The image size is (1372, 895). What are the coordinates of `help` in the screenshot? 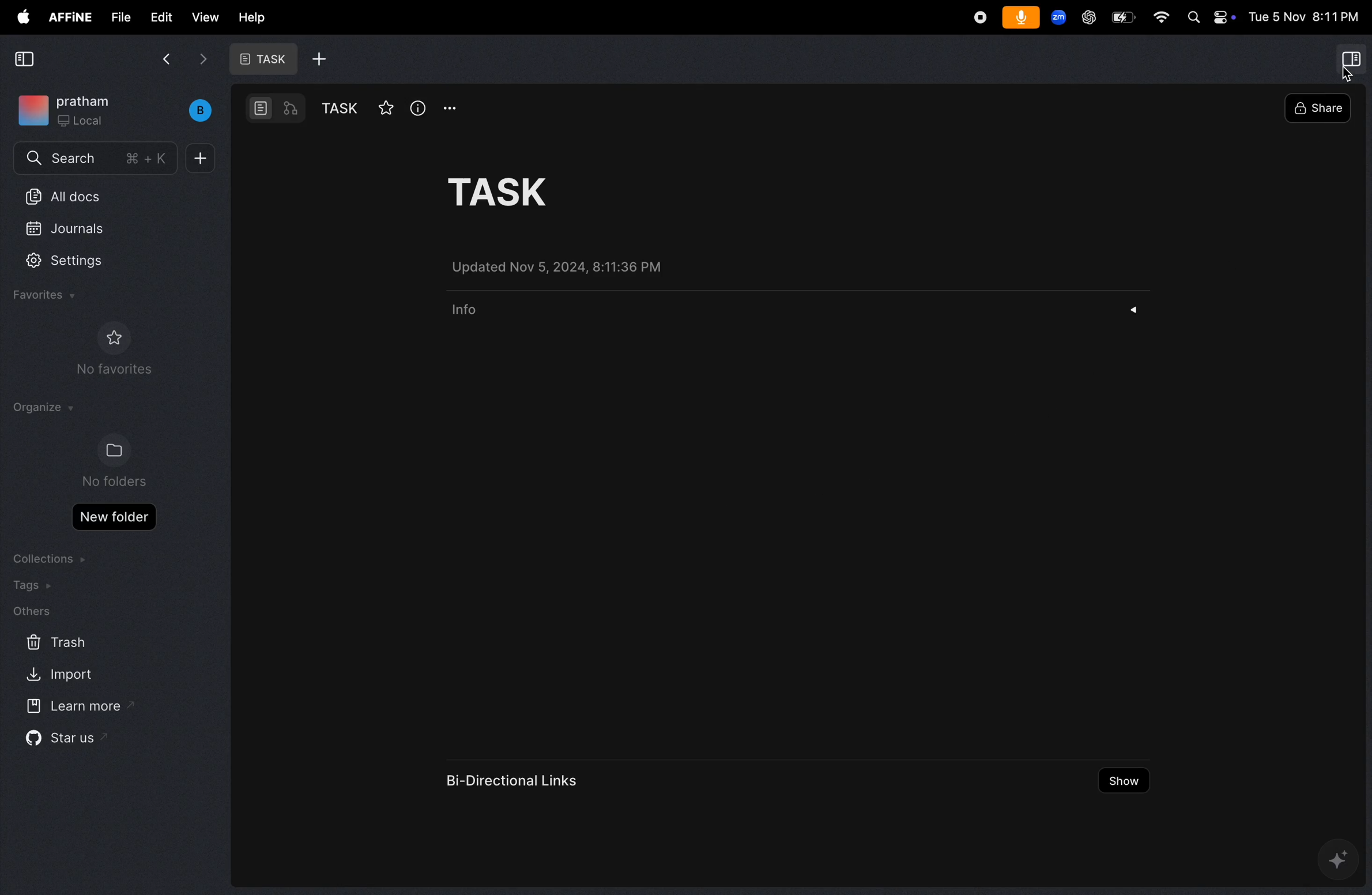 It's located at (250, 16).